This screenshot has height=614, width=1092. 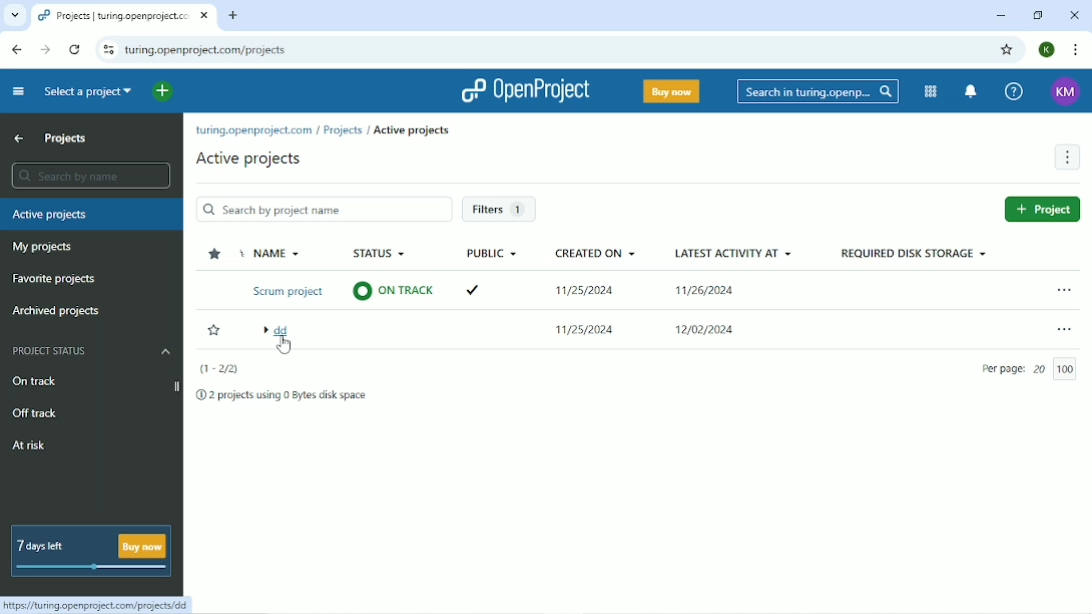 What do you see at coordinates (44, 49) in the screenshot?
I see `Forward` at bounding box center [44, 49].